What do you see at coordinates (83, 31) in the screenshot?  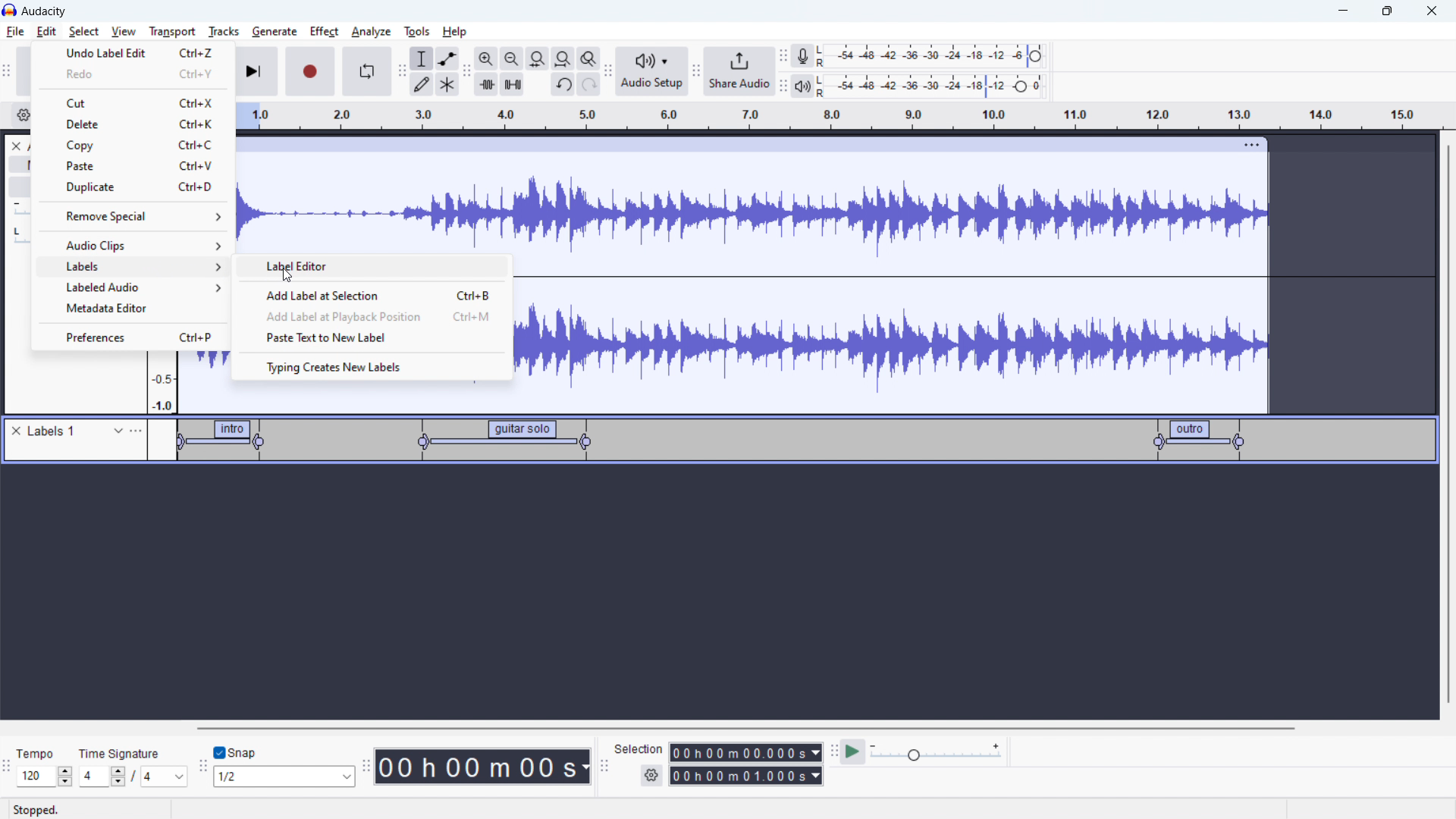 I see `select` at bounding box center [83, 31].